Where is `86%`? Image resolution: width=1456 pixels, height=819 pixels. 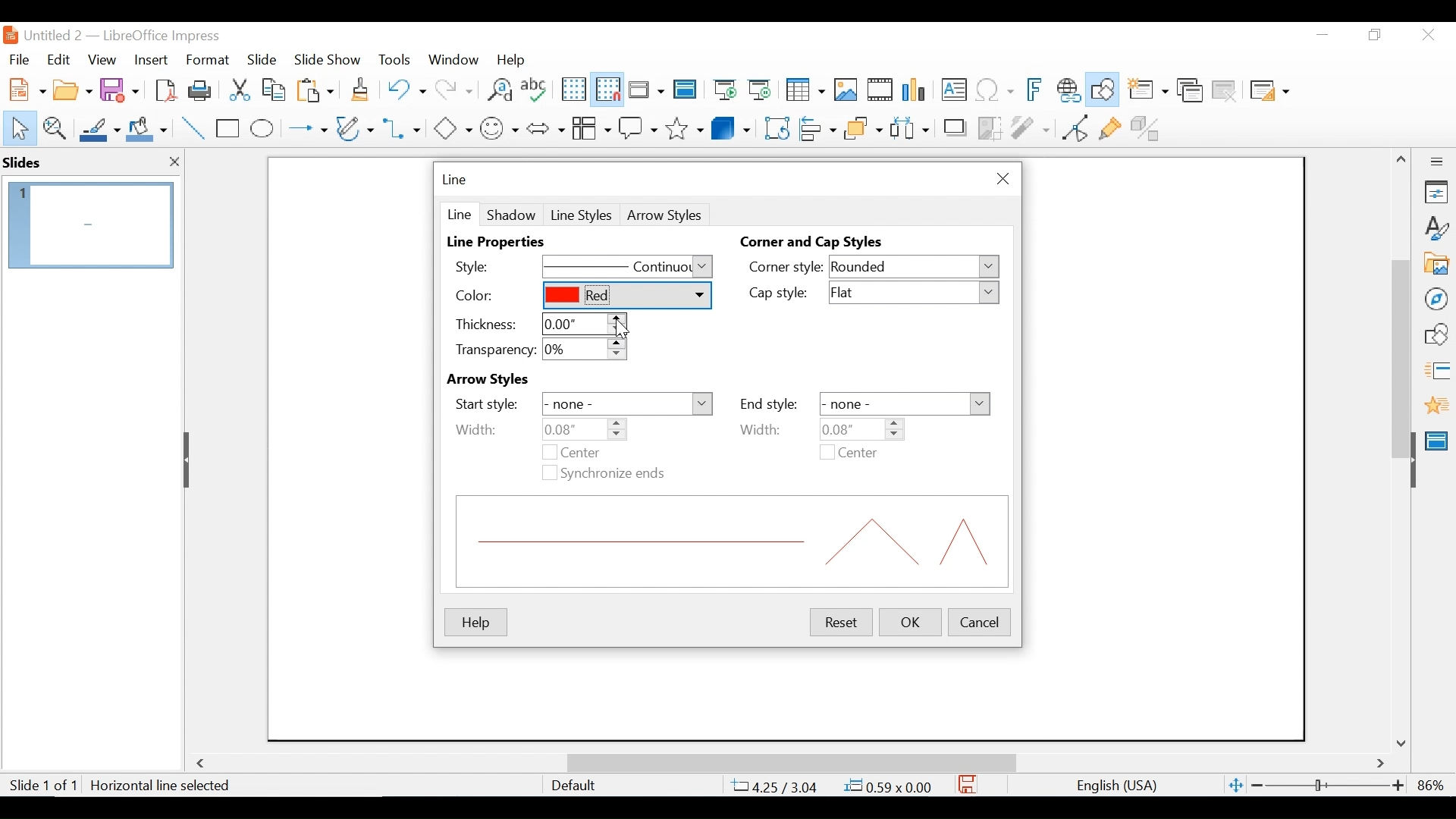 86% is located at coordinates (1434, 785).